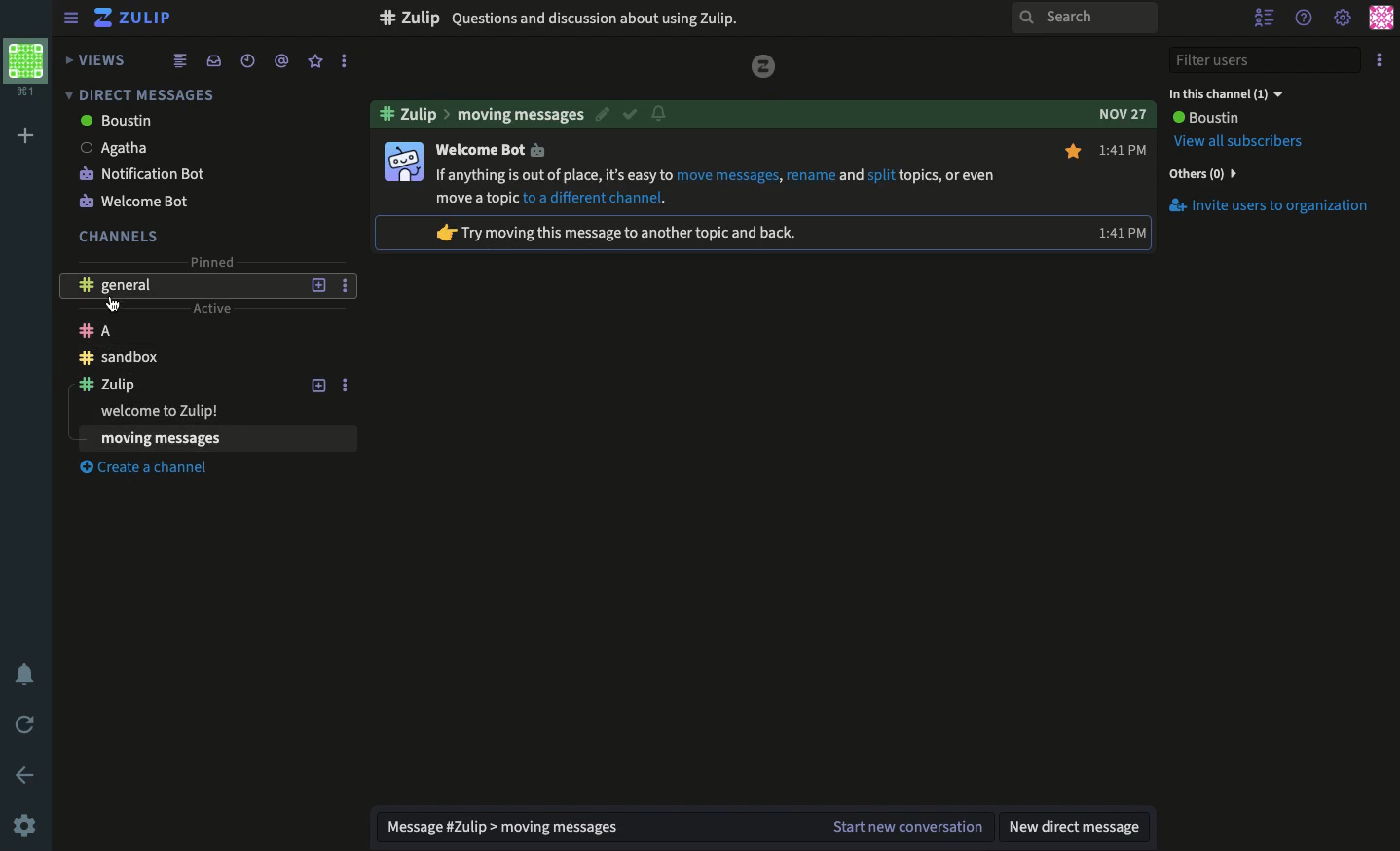  I want to click on Profile, so click(1381, 18).